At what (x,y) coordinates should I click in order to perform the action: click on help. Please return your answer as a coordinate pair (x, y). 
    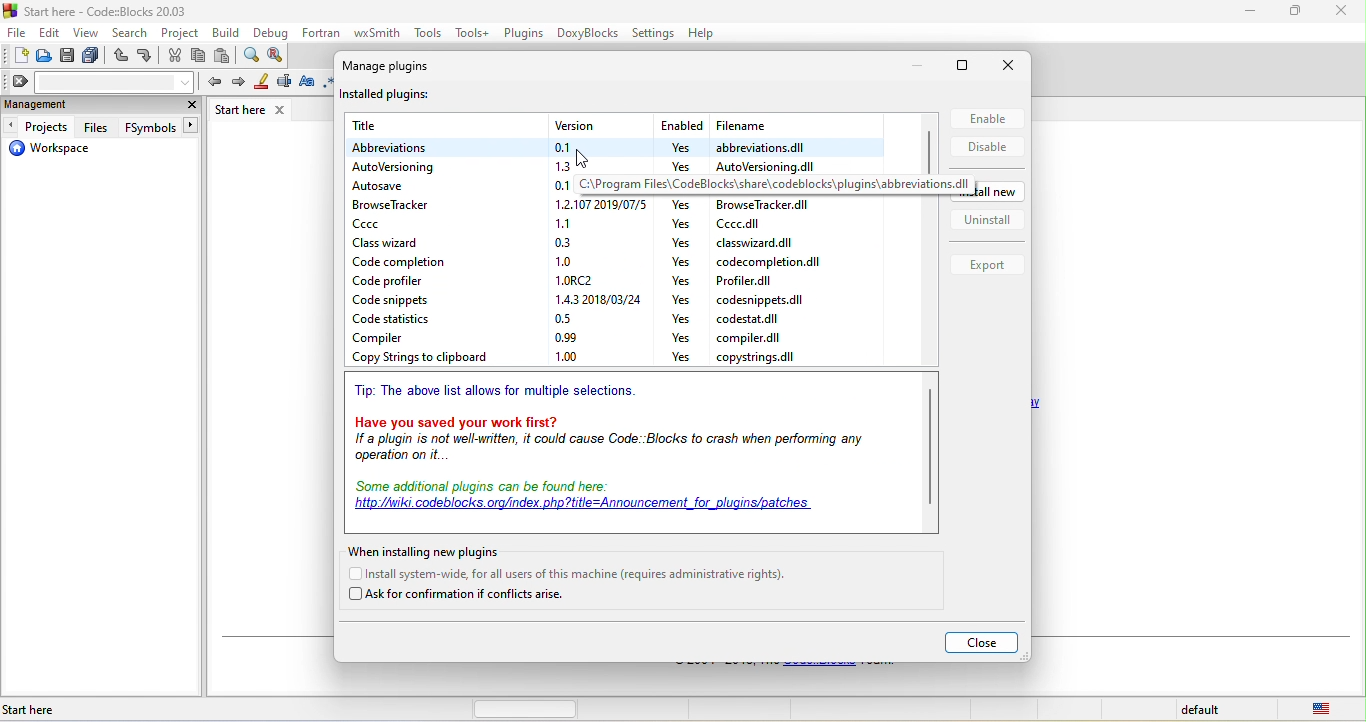
    Looking at the image, I should click on (700, 32).